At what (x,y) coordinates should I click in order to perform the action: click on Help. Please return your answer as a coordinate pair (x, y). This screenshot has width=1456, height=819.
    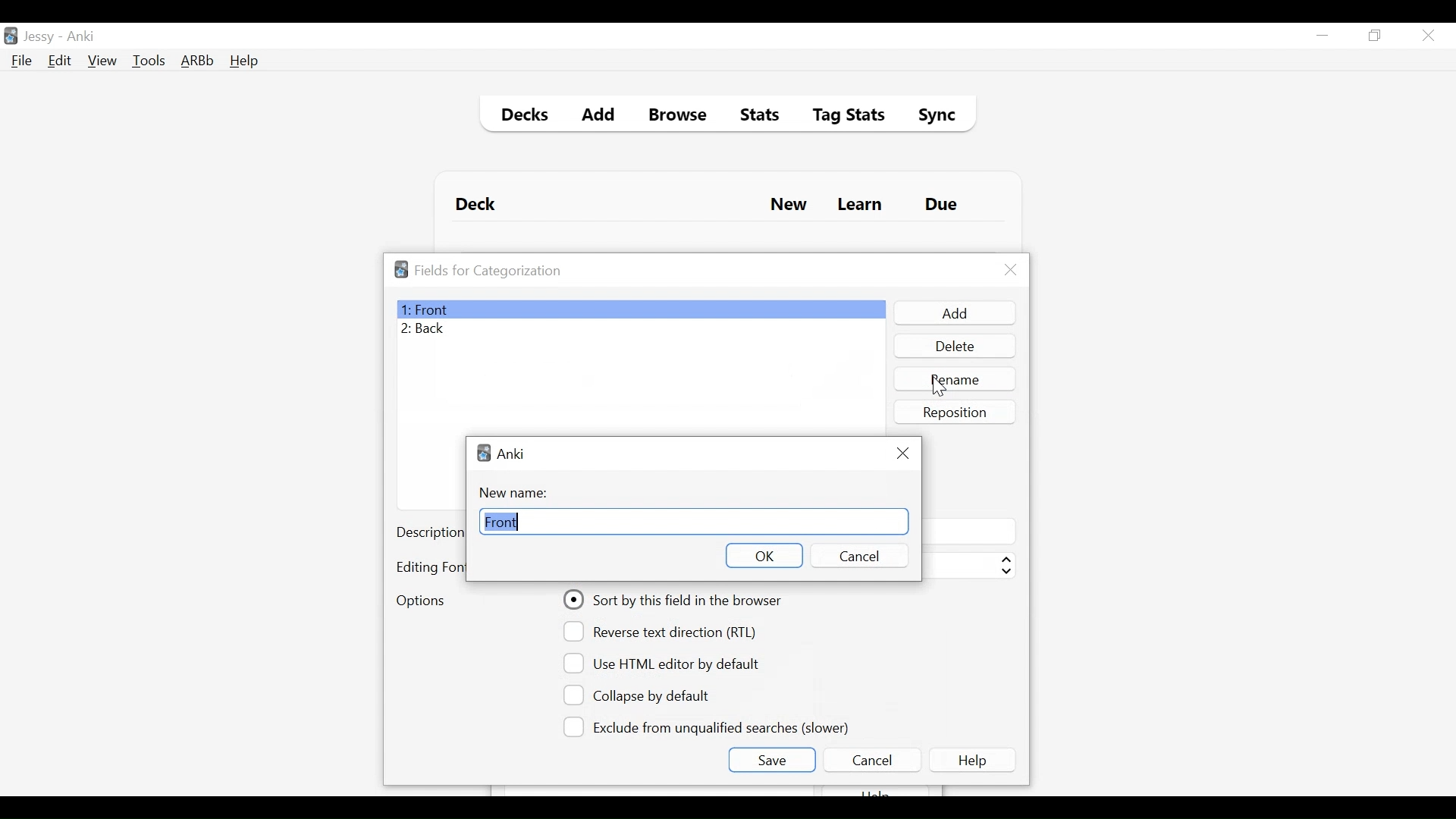
    Looking at the image, I should click on (243, 62).